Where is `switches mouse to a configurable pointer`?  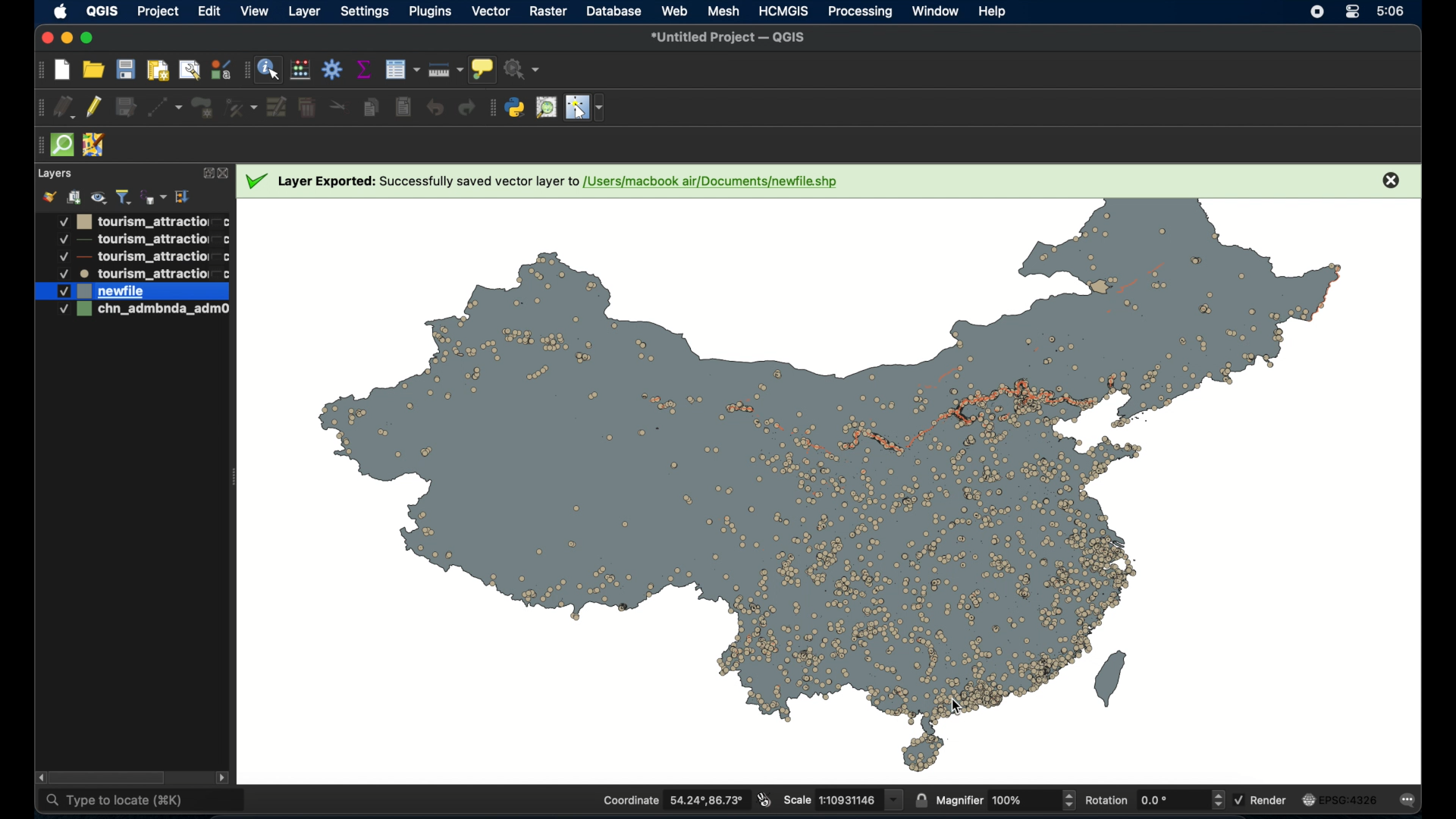 switches mouse to a configurable pointer is located at coordinates (588, 108).